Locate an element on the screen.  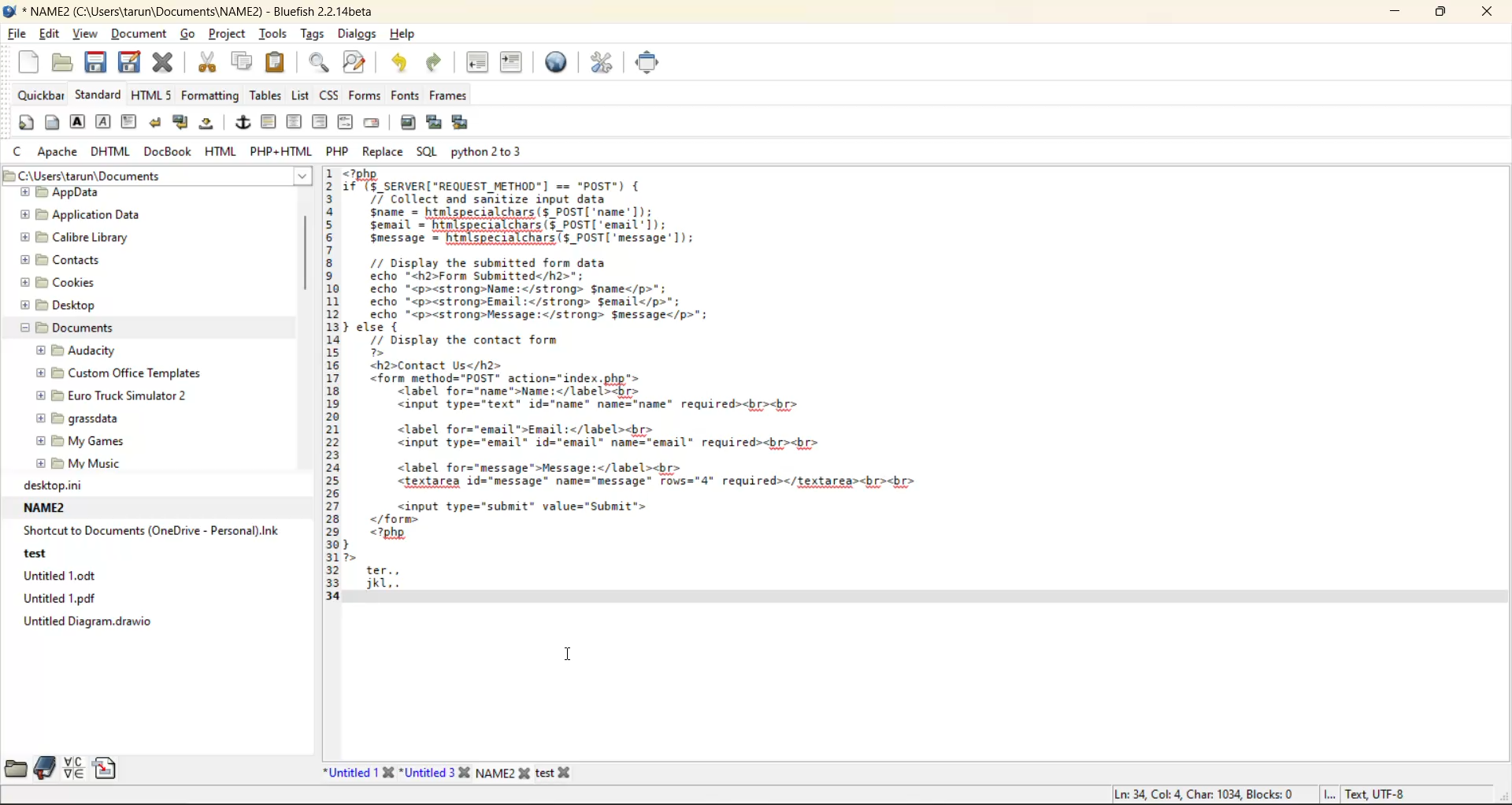
minimize is located at coordinates (1402, 14).